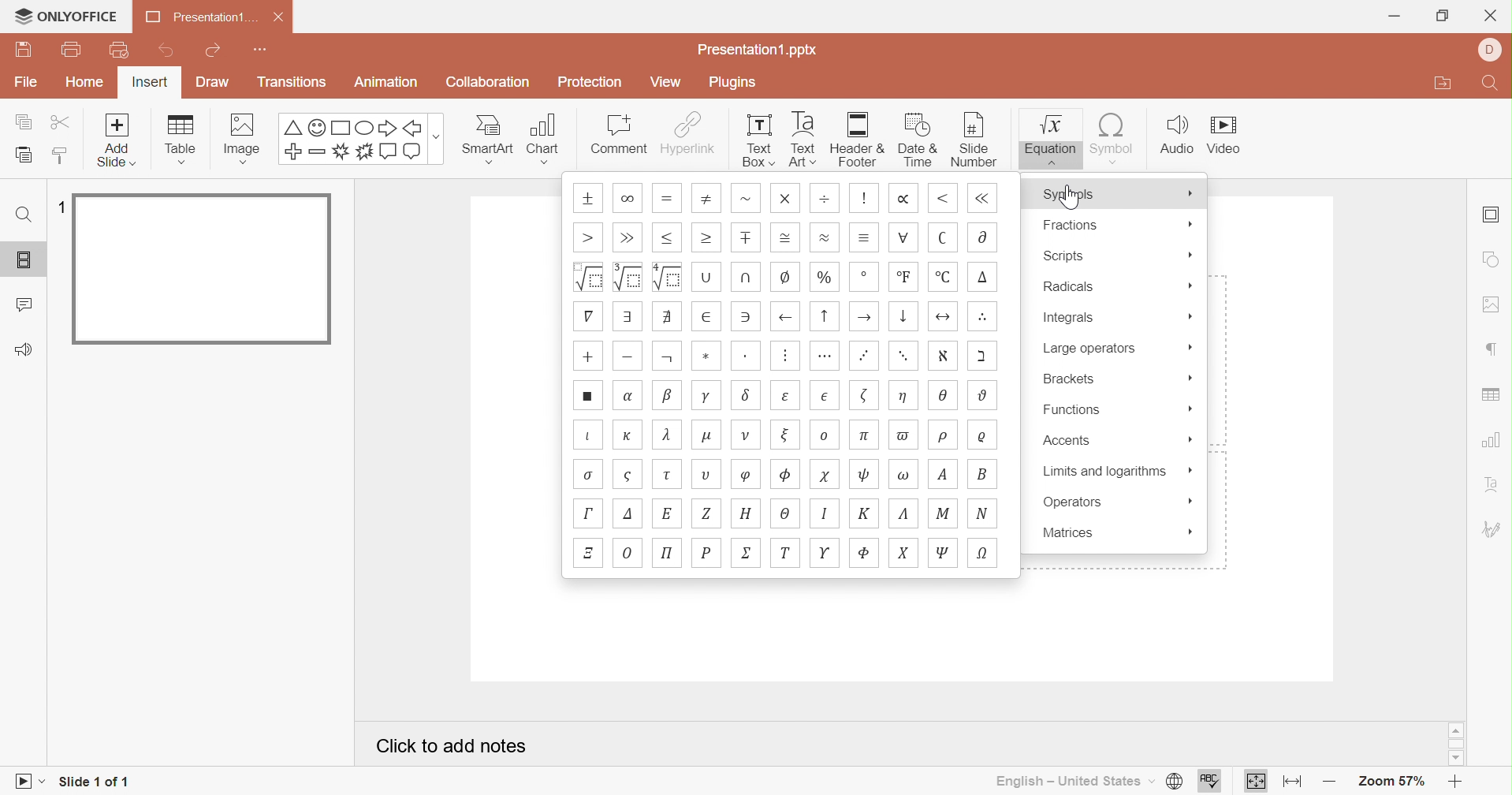 The width and height of the screenshot is (1512, 795). I want to click on Redo, so click(214, 52).